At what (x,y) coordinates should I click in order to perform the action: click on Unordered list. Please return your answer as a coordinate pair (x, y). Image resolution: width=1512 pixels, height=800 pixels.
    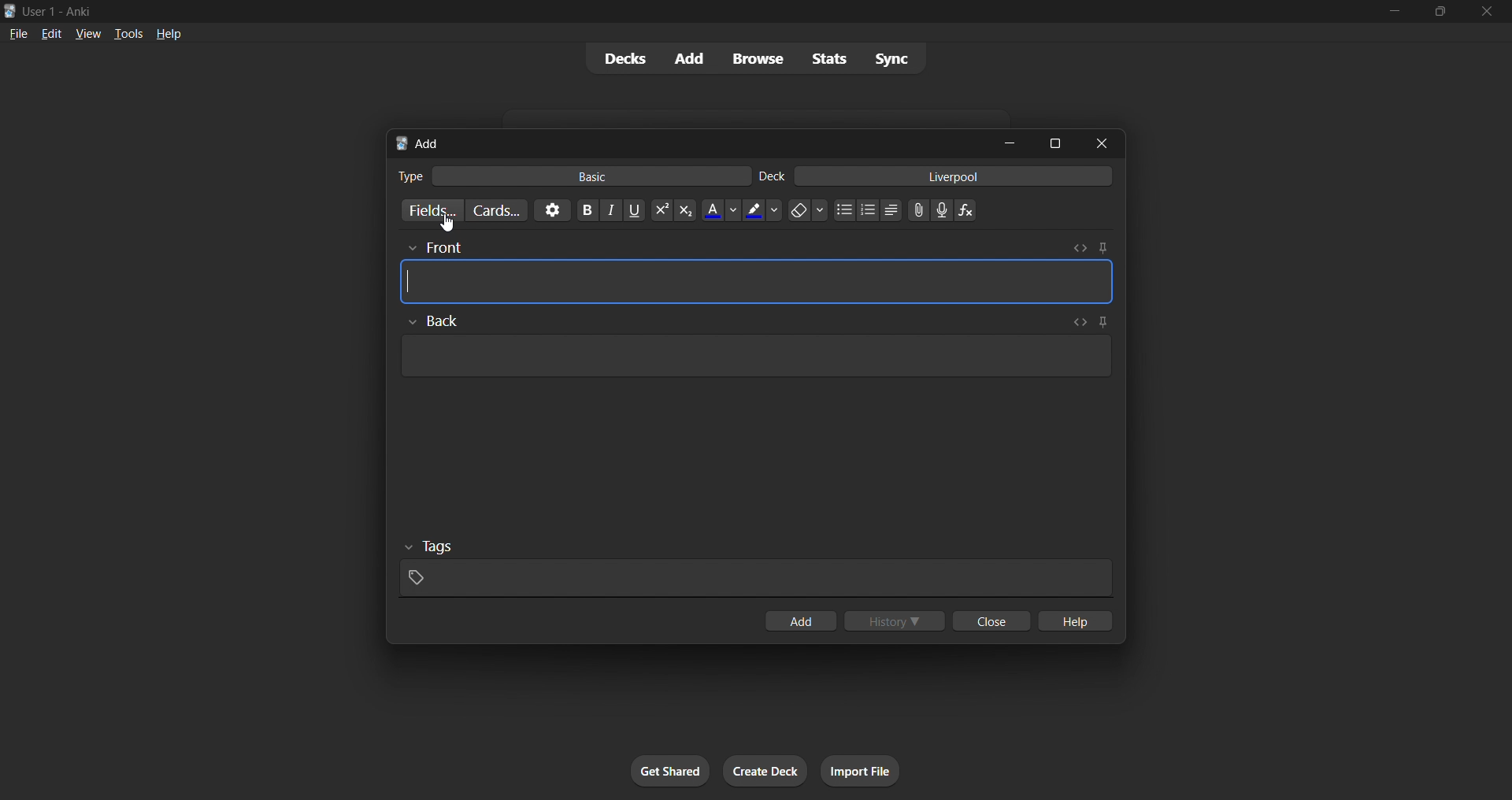
    Looking at the image, I should click on (845, 209).